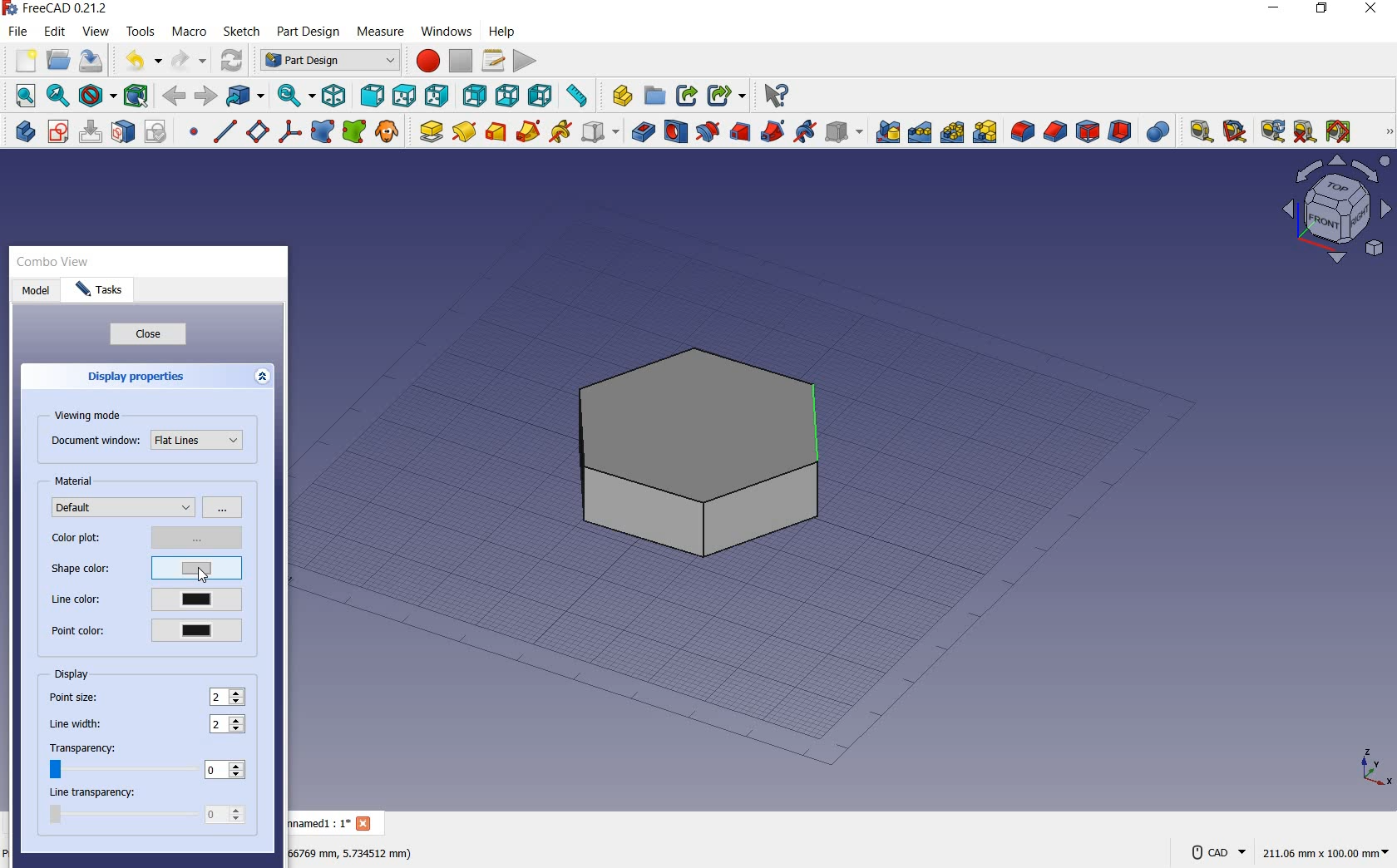  What do you see at coordinates (402, 94) in the screenshot?
I see `top` at bounding box center [402, 94].